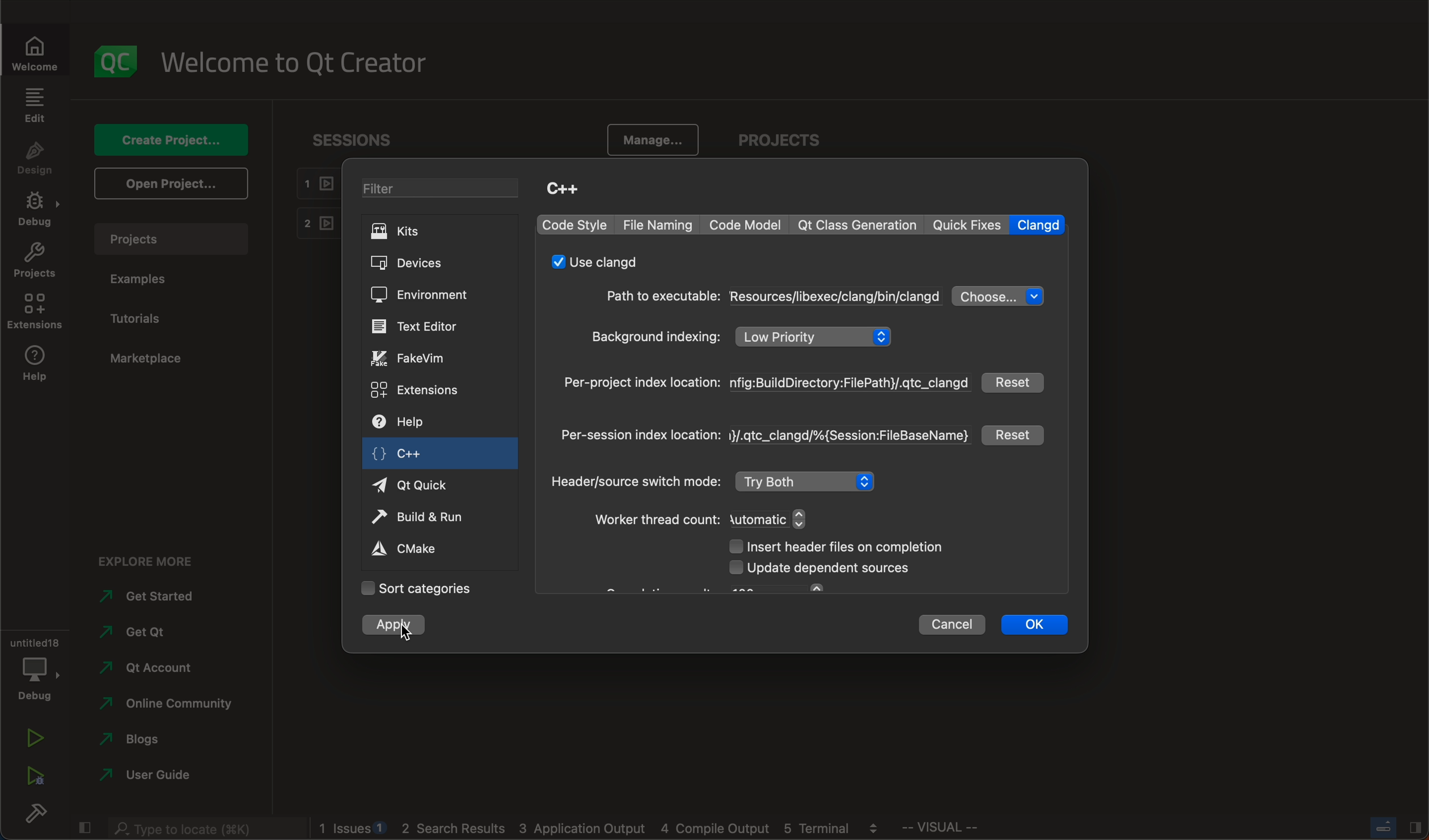  Describe the element at coordinates (37, 776) in the screenshot. I see `run debug` at that location.